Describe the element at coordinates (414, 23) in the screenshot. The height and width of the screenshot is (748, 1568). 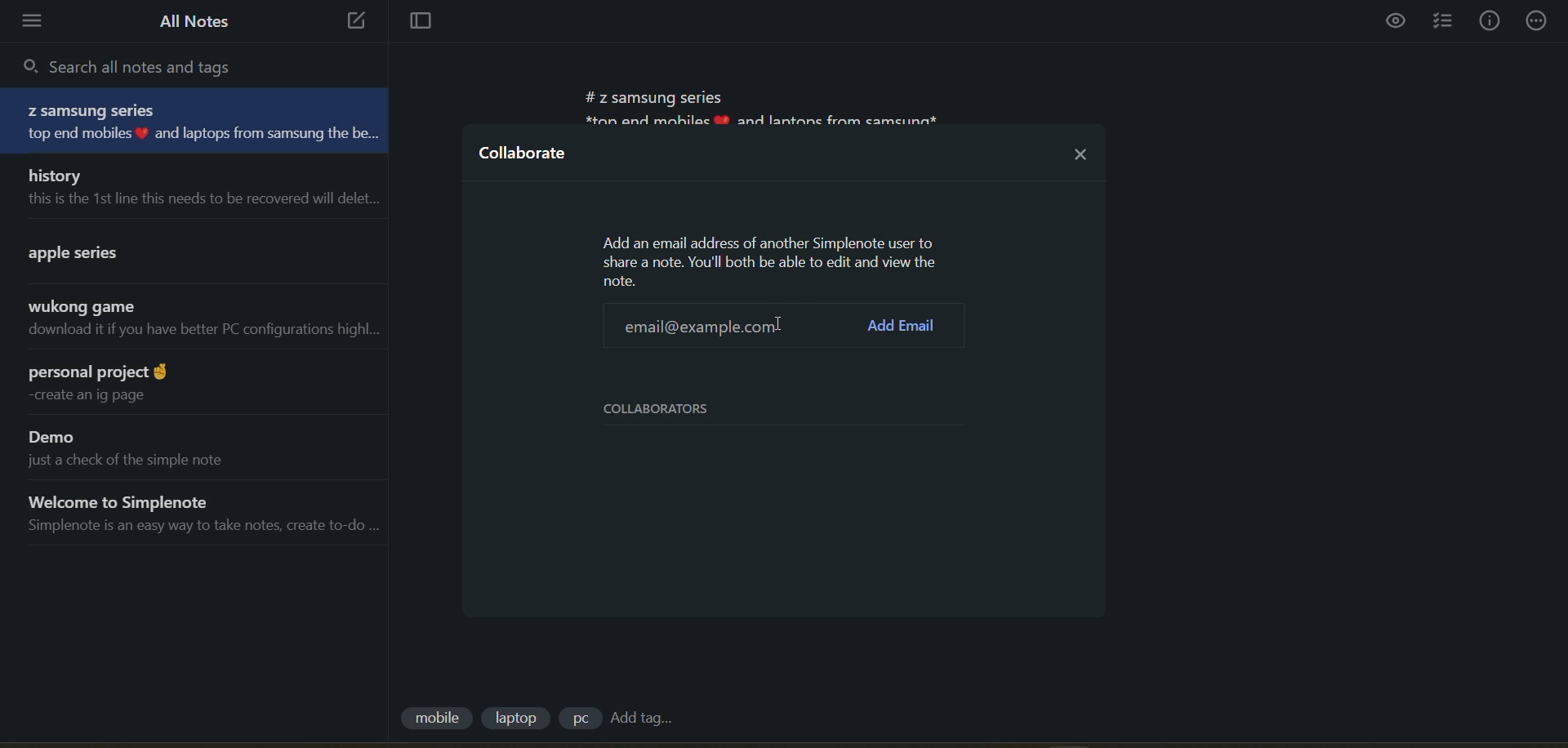
I see `toggle focus mode` at that location.